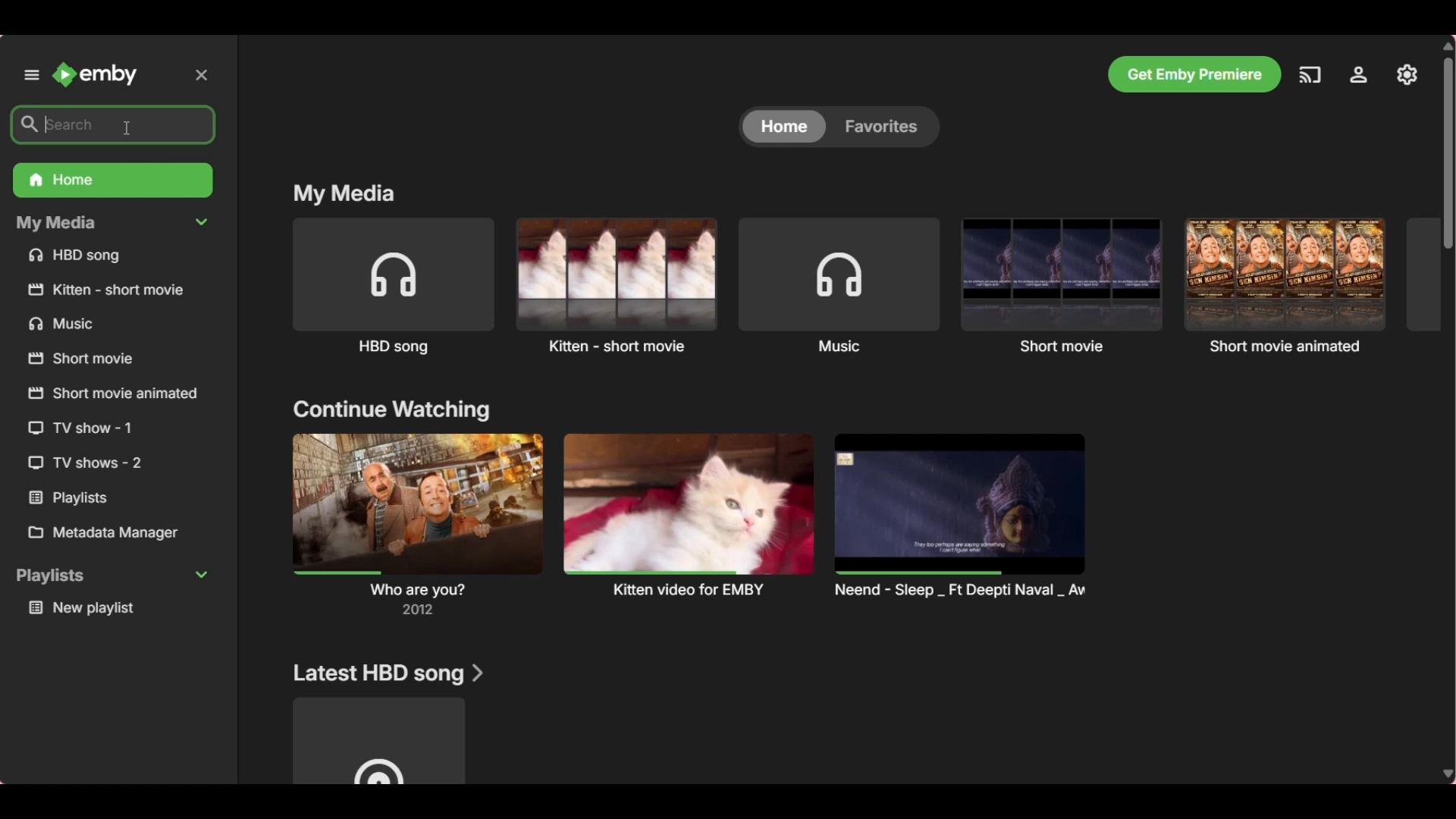 Image resolution: width=1456 pixels, height=819 pixels. I want to click on Section title, so click(391, 410).